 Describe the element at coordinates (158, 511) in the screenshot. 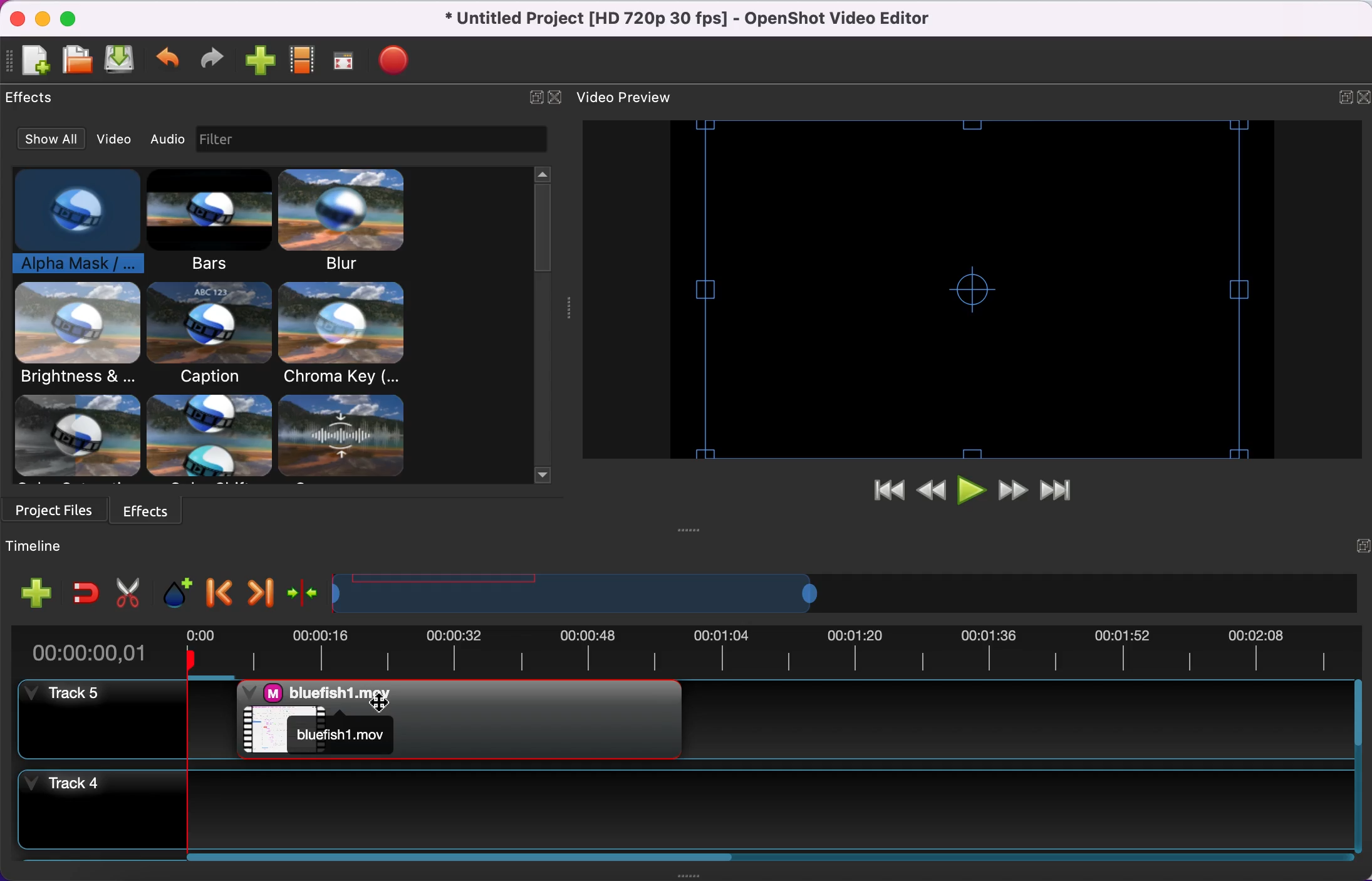

I see `effects` at that location.